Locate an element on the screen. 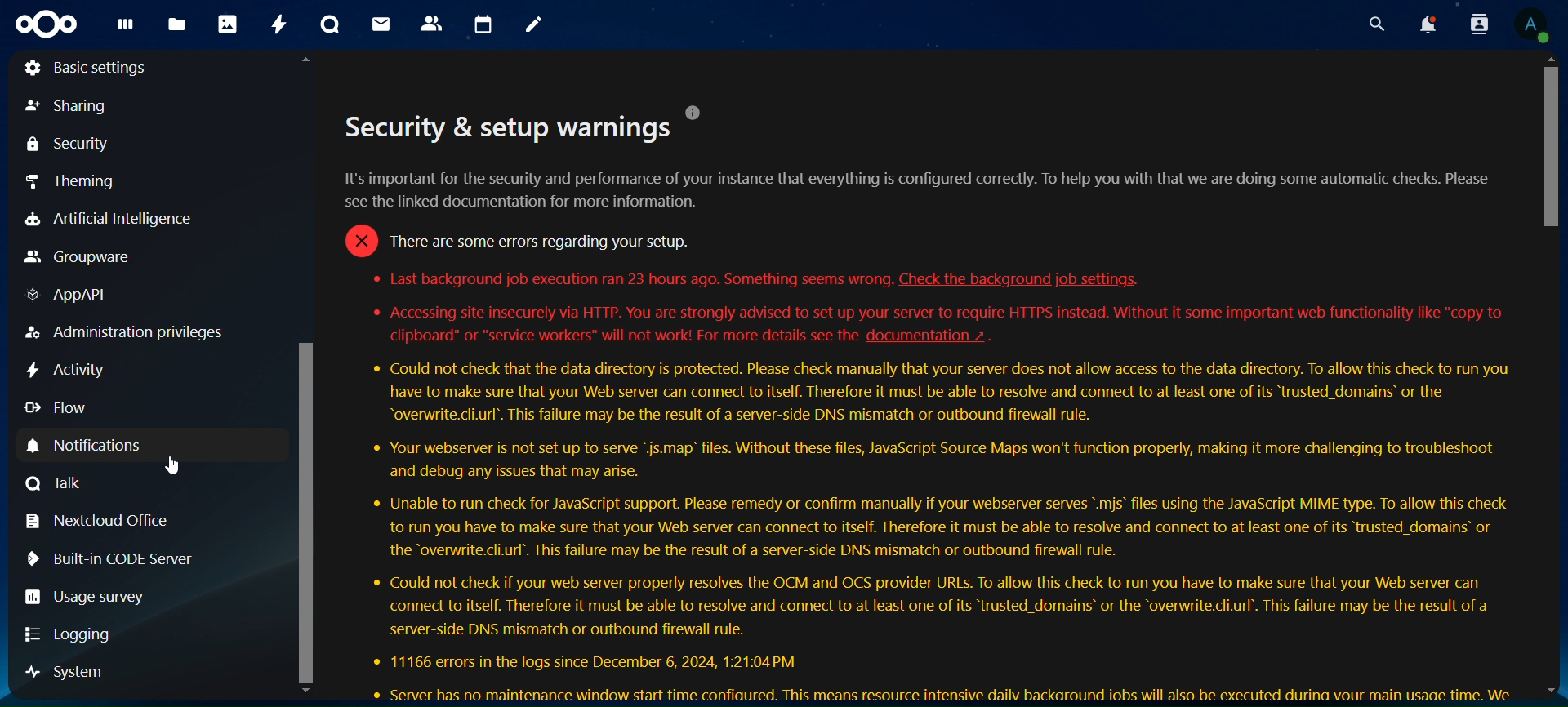 The width and height of the screenshot is (1568, 707). artificial intelligence is located at coordinates (139, 216).